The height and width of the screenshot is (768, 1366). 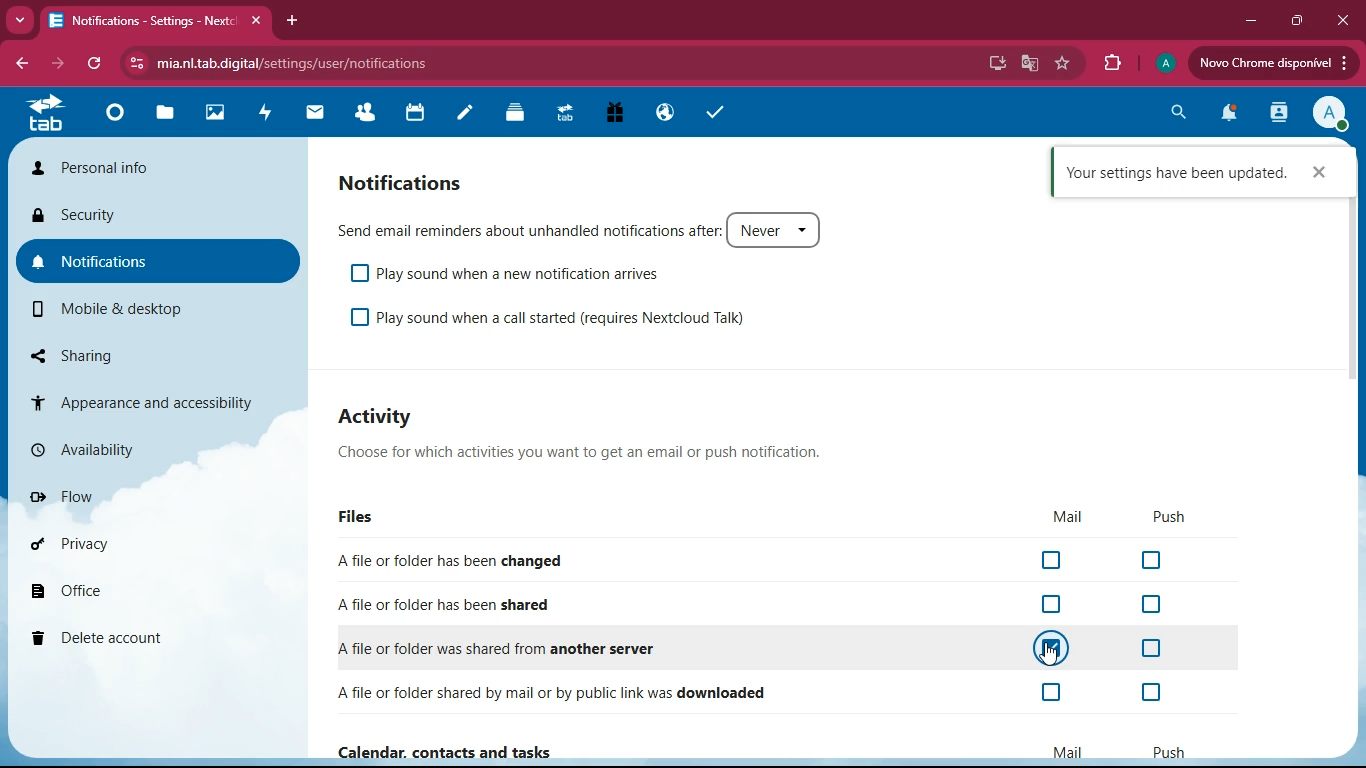 What do you see at coordinates (1064, 64) in the screenshot?
I see `favorite` at bounding box center [1064, 64].